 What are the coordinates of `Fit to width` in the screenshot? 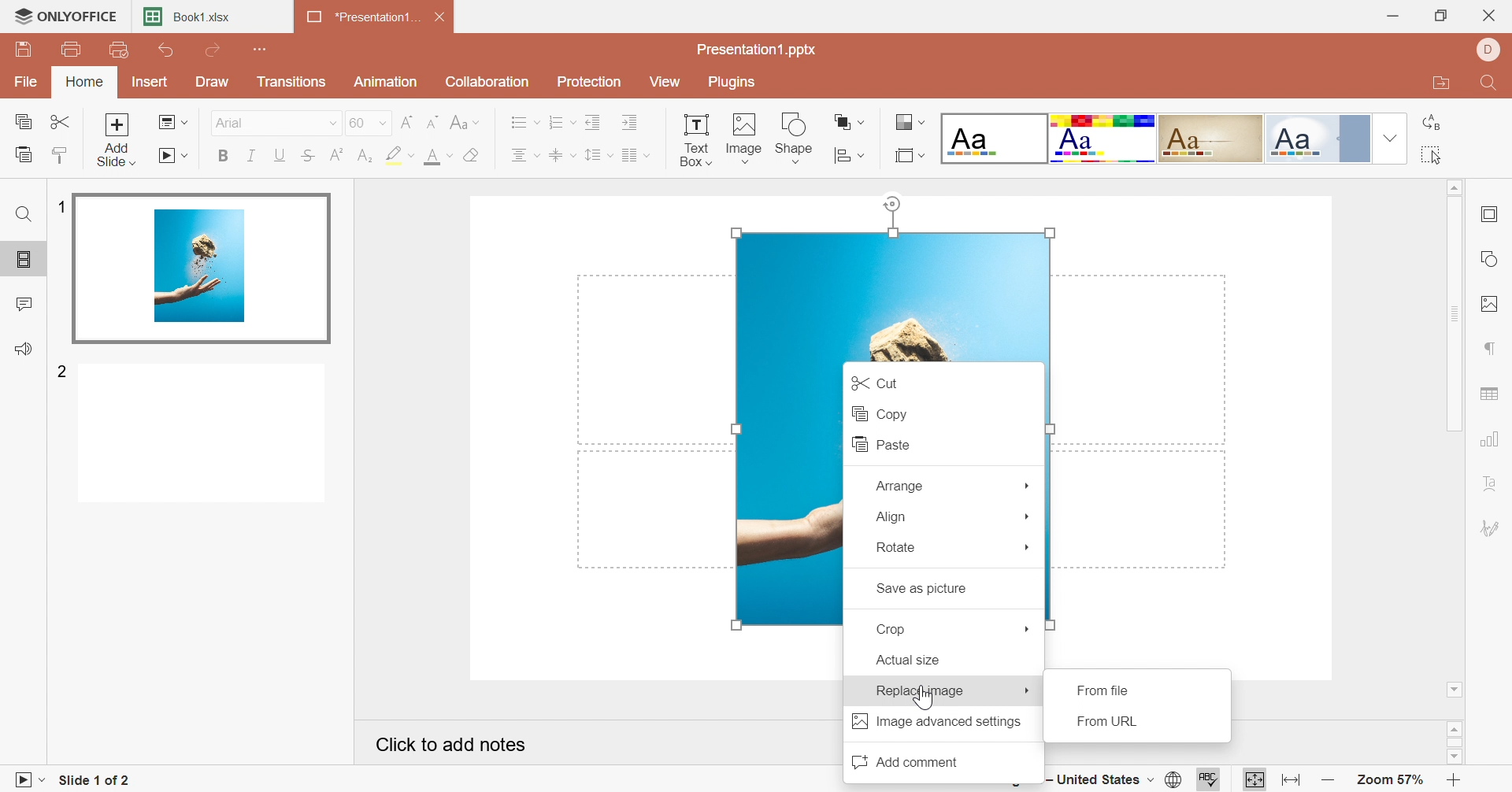 It's located at (1288, 779).